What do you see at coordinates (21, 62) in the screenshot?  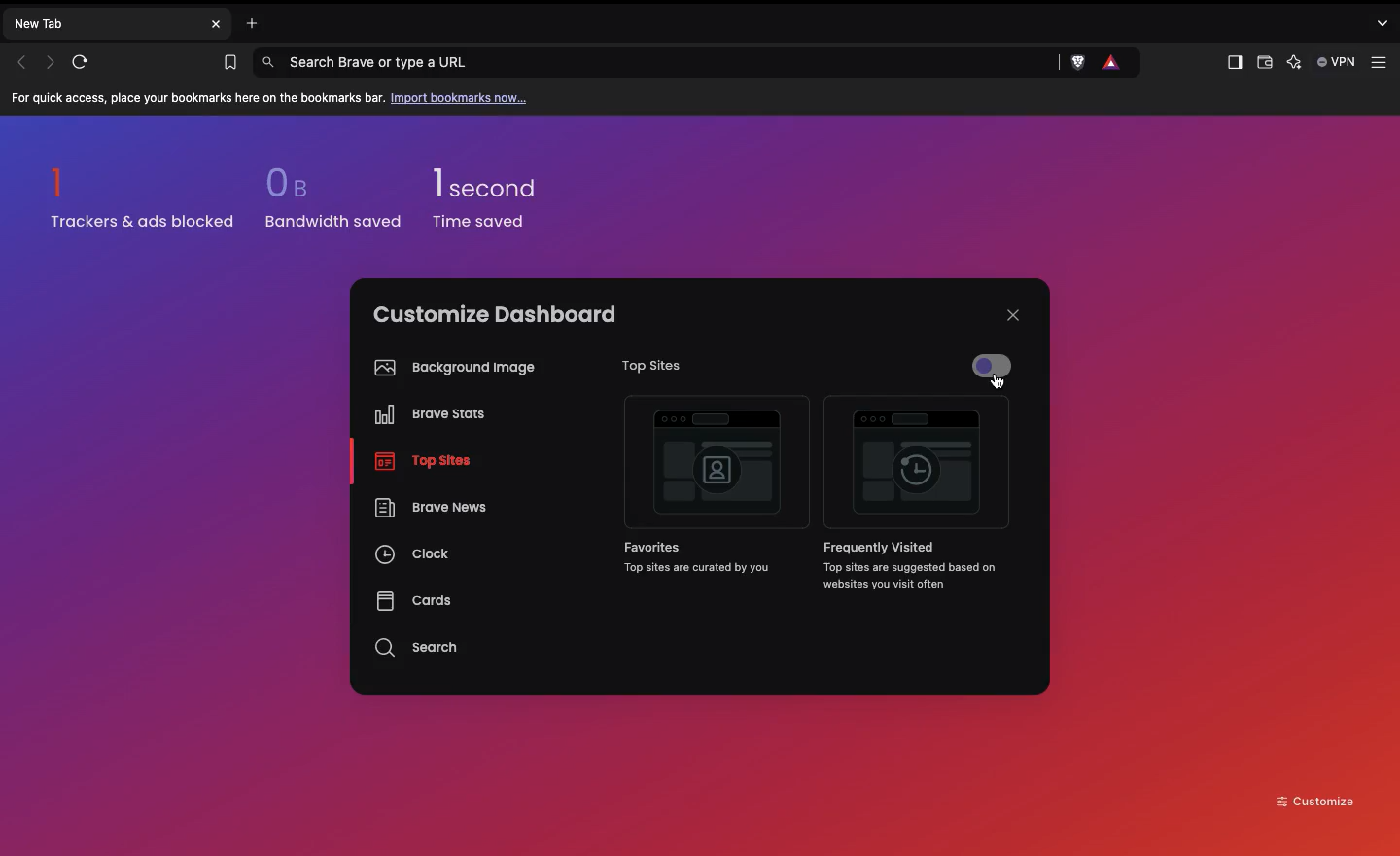 I see `Previous page` at bounding box center [21, 62].